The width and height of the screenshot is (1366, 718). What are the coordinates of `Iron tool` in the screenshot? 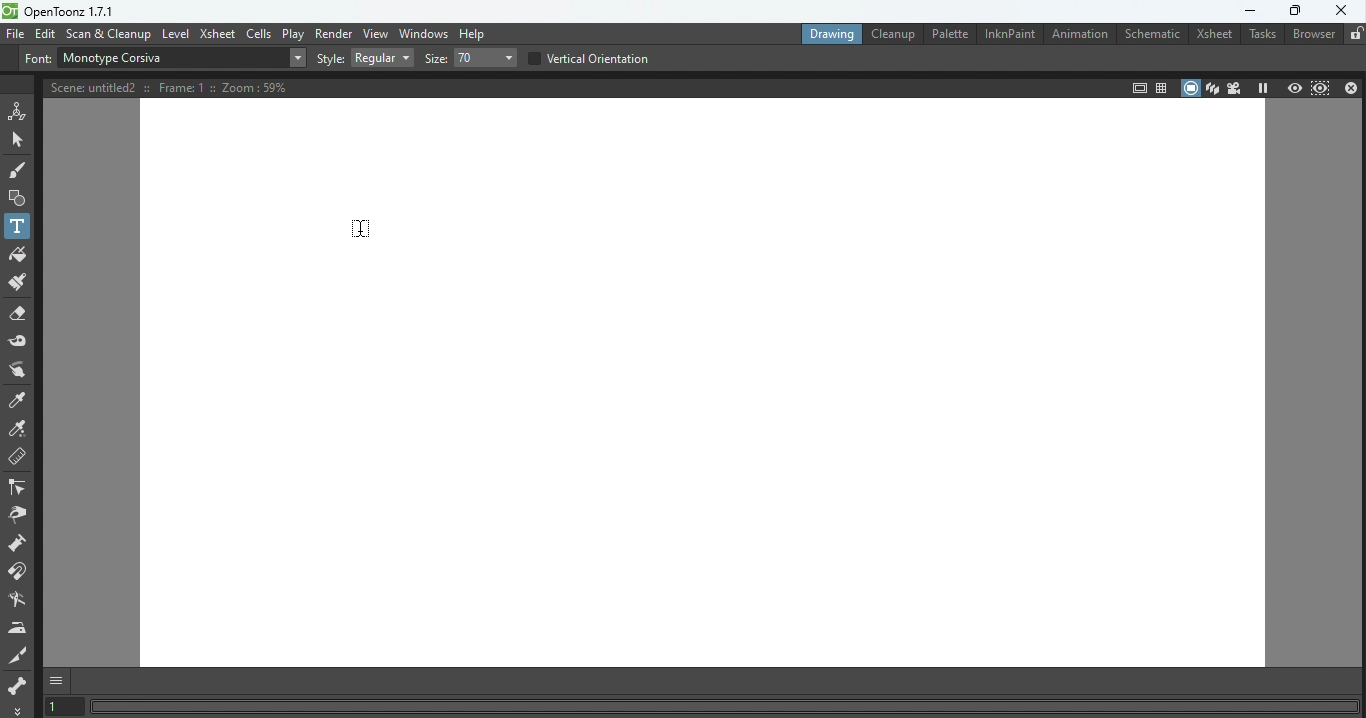 It's located at (20, 626).